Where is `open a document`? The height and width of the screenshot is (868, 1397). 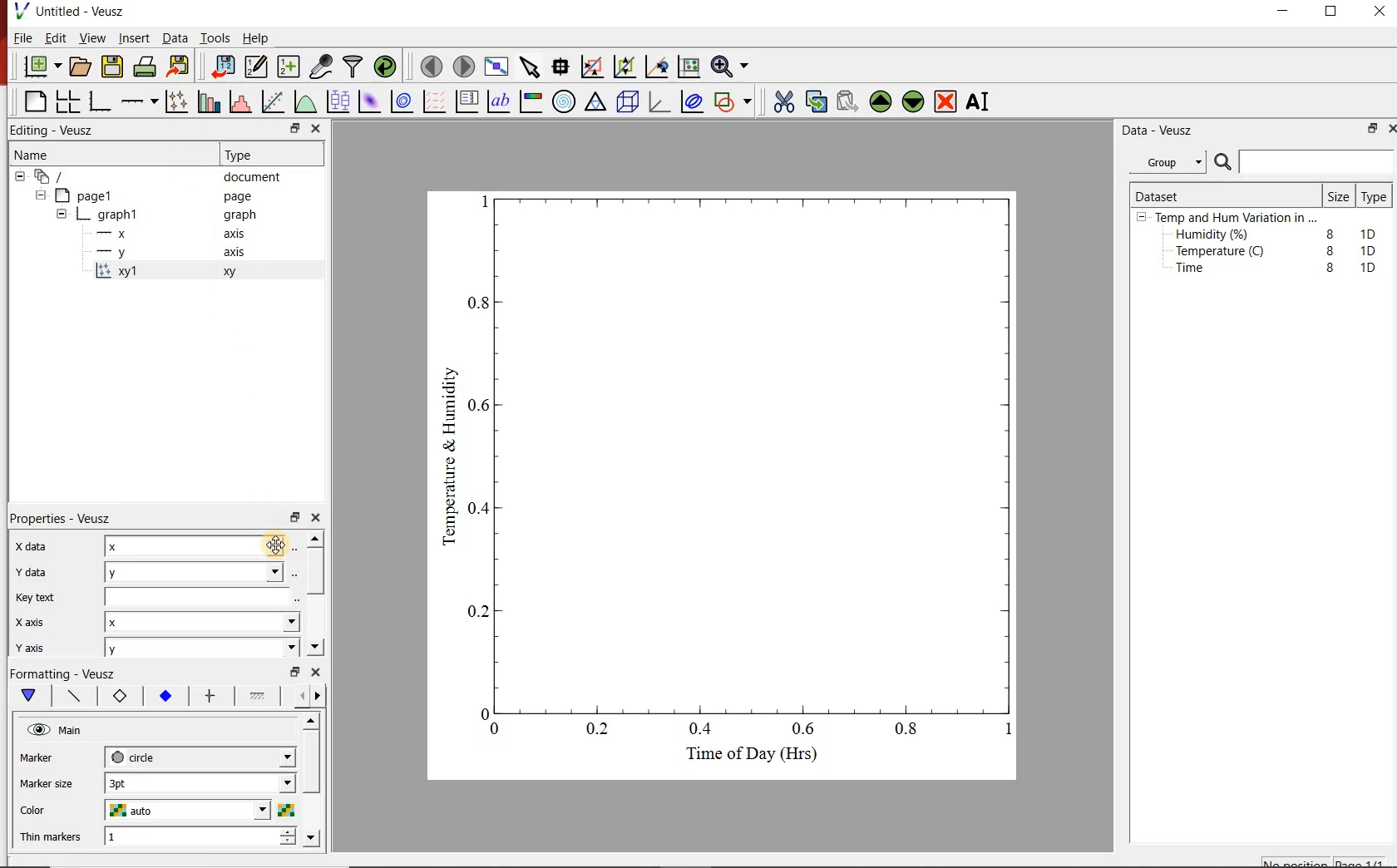
open a document is located at coordinates (81, 67).